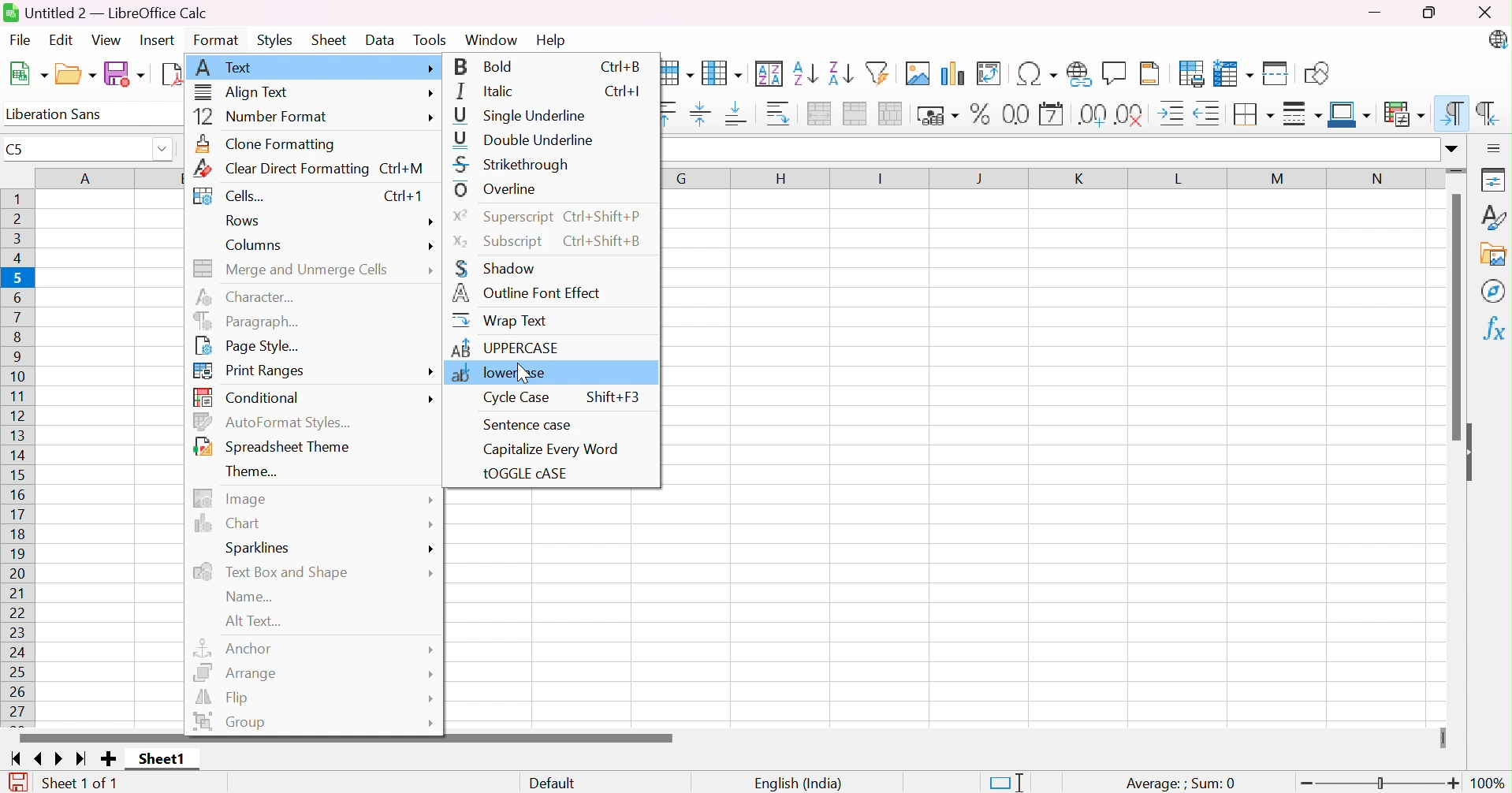 This screenshot has height=793, width=1512. What do you see at coordinates (740, 116) in the screenshot?
I see `Align Bottom` at bounding box center [740, 116].